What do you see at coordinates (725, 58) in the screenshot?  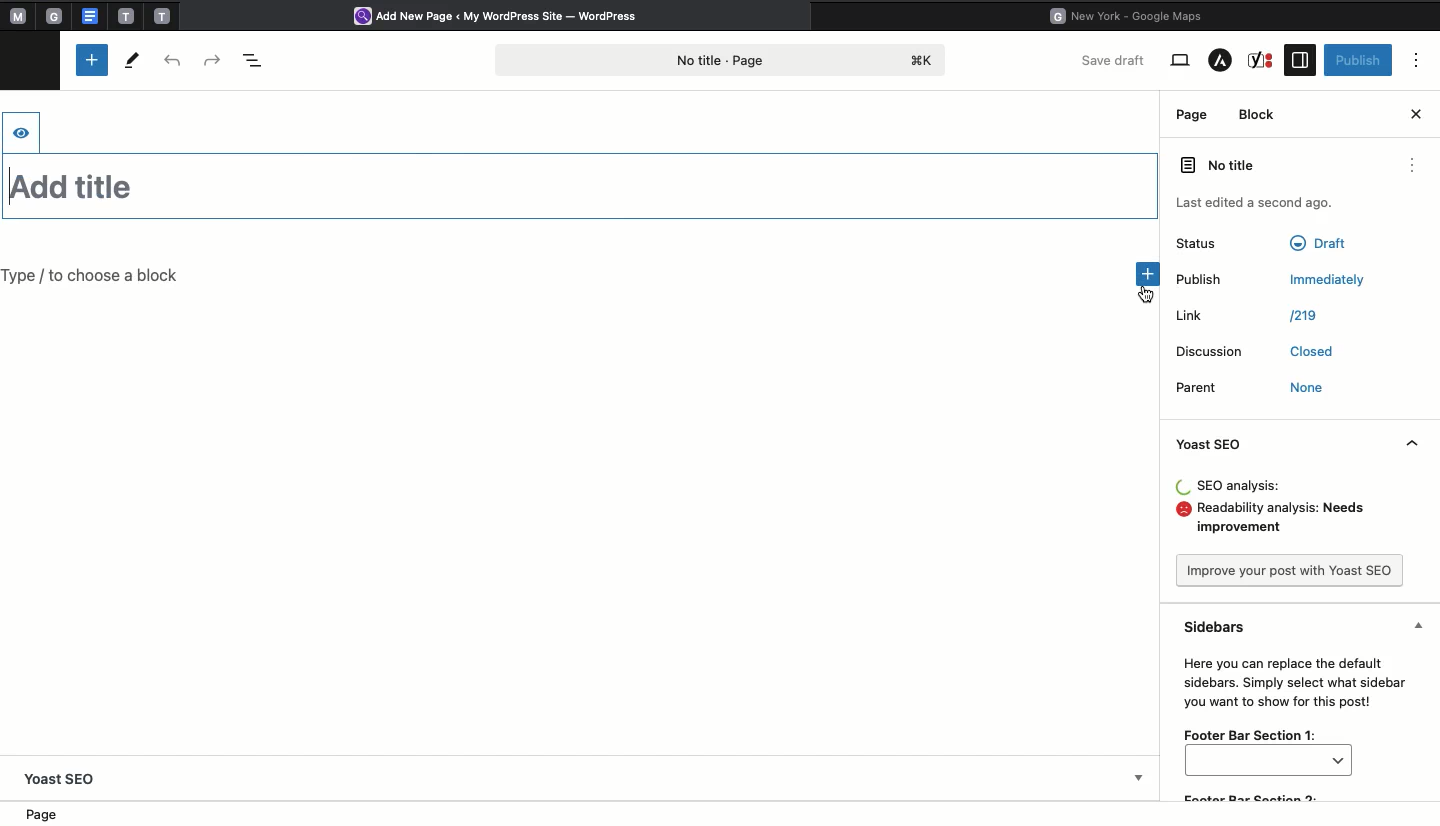 I see `Page` at bounding box center [725, 58].